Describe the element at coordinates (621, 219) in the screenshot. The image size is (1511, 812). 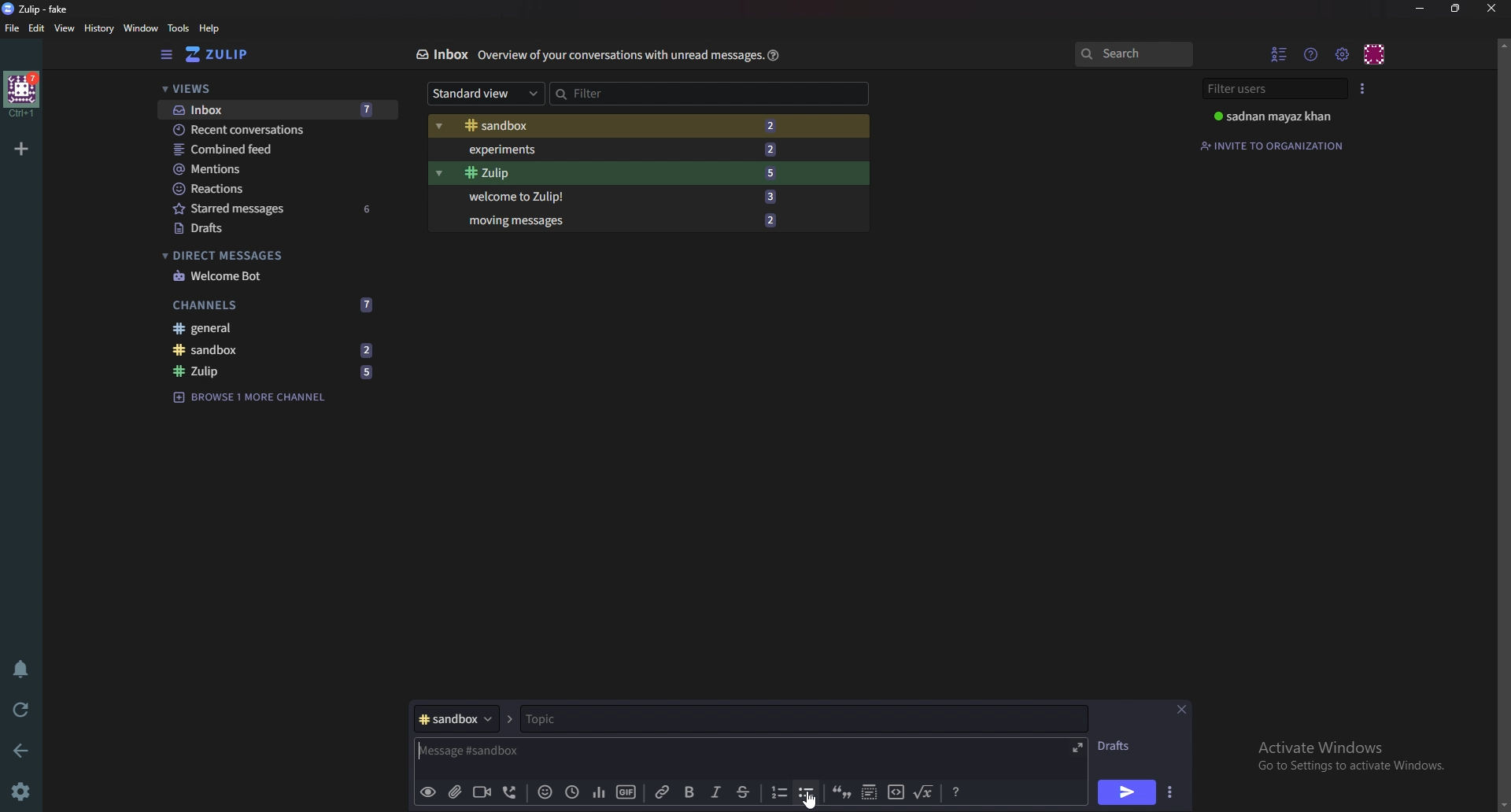
I see `Moving messages` at that location.